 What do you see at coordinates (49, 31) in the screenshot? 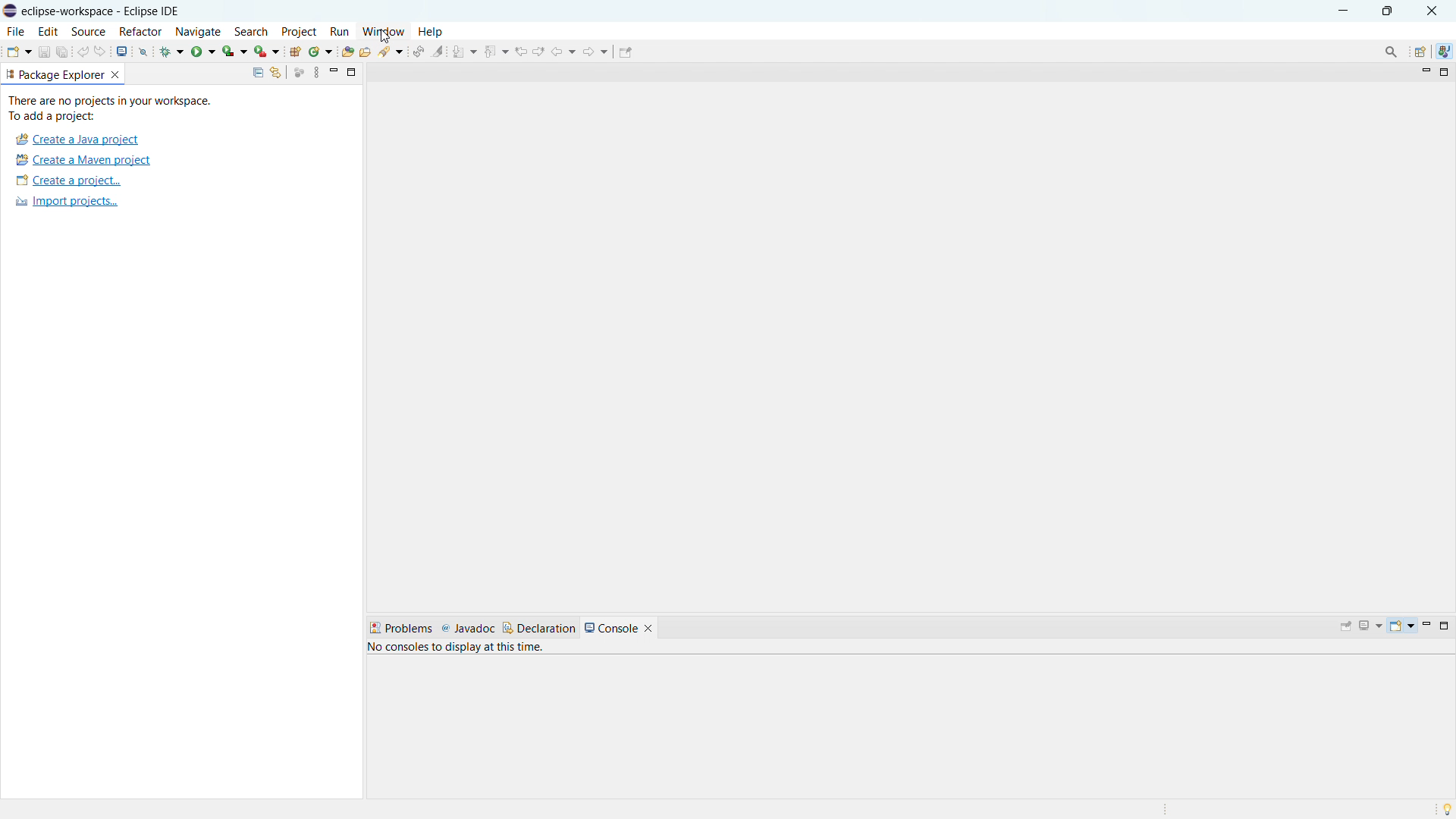
I see `edit` at bounding box center [49, 31].